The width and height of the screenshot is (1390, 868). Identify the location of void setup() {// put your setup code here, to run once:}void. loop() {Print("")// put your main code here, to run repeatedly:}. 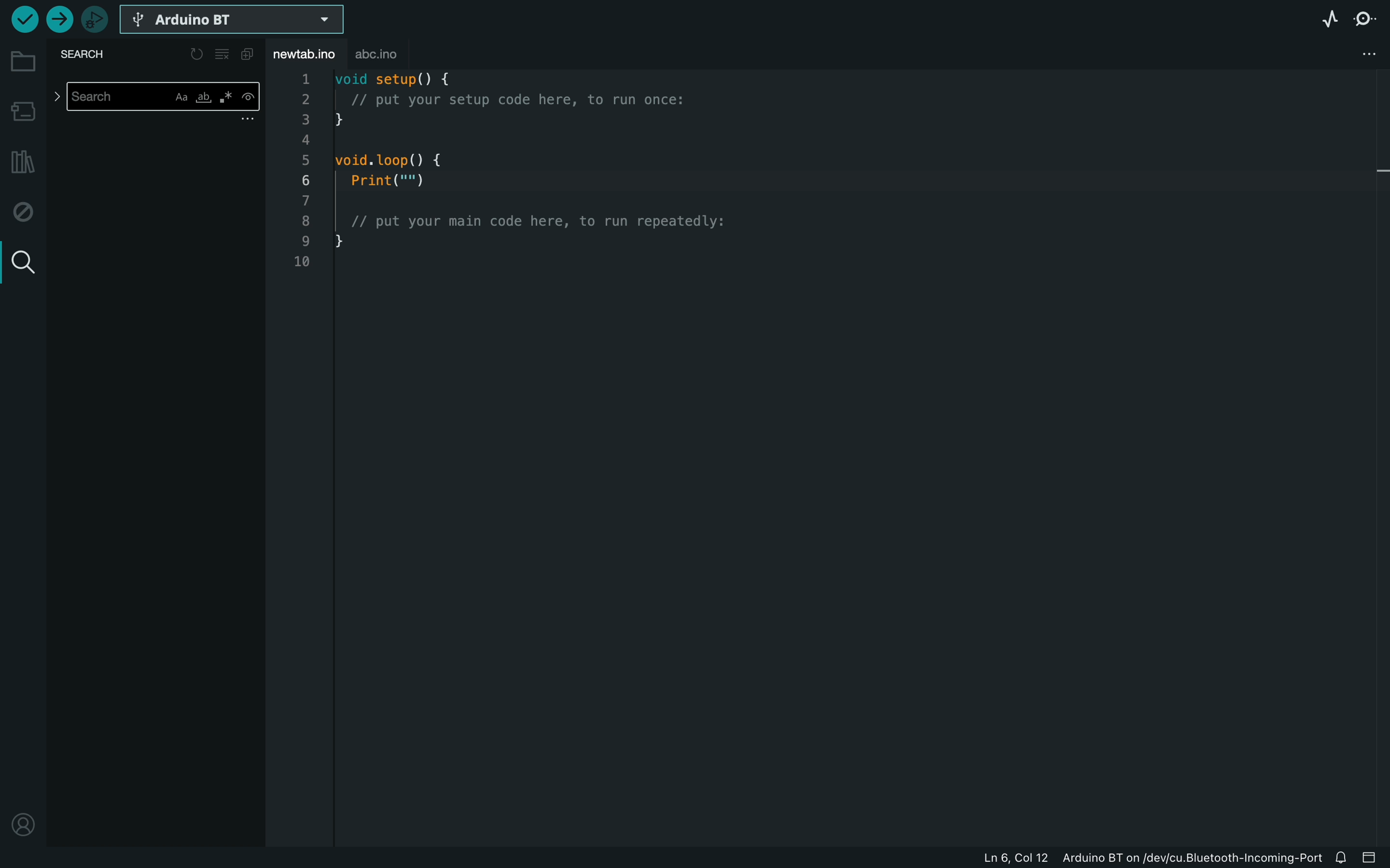
(537, 184).